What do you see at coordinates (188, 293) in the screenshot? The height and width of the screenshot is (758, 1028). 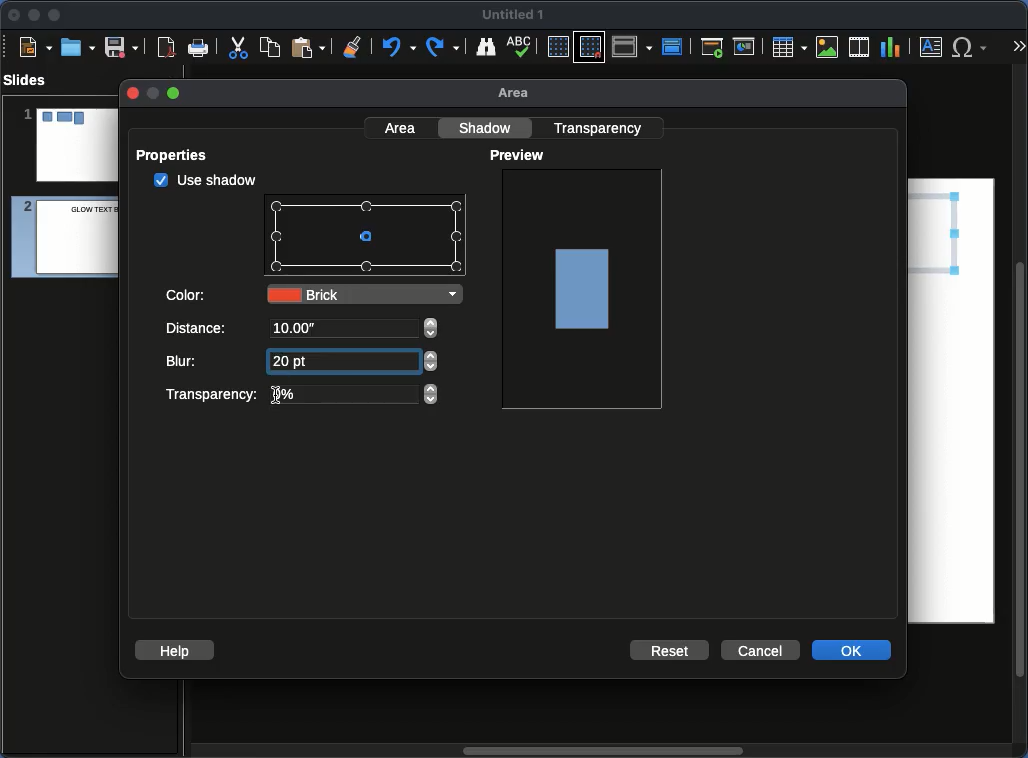 I see `Color` at bounding box center [188, 293].